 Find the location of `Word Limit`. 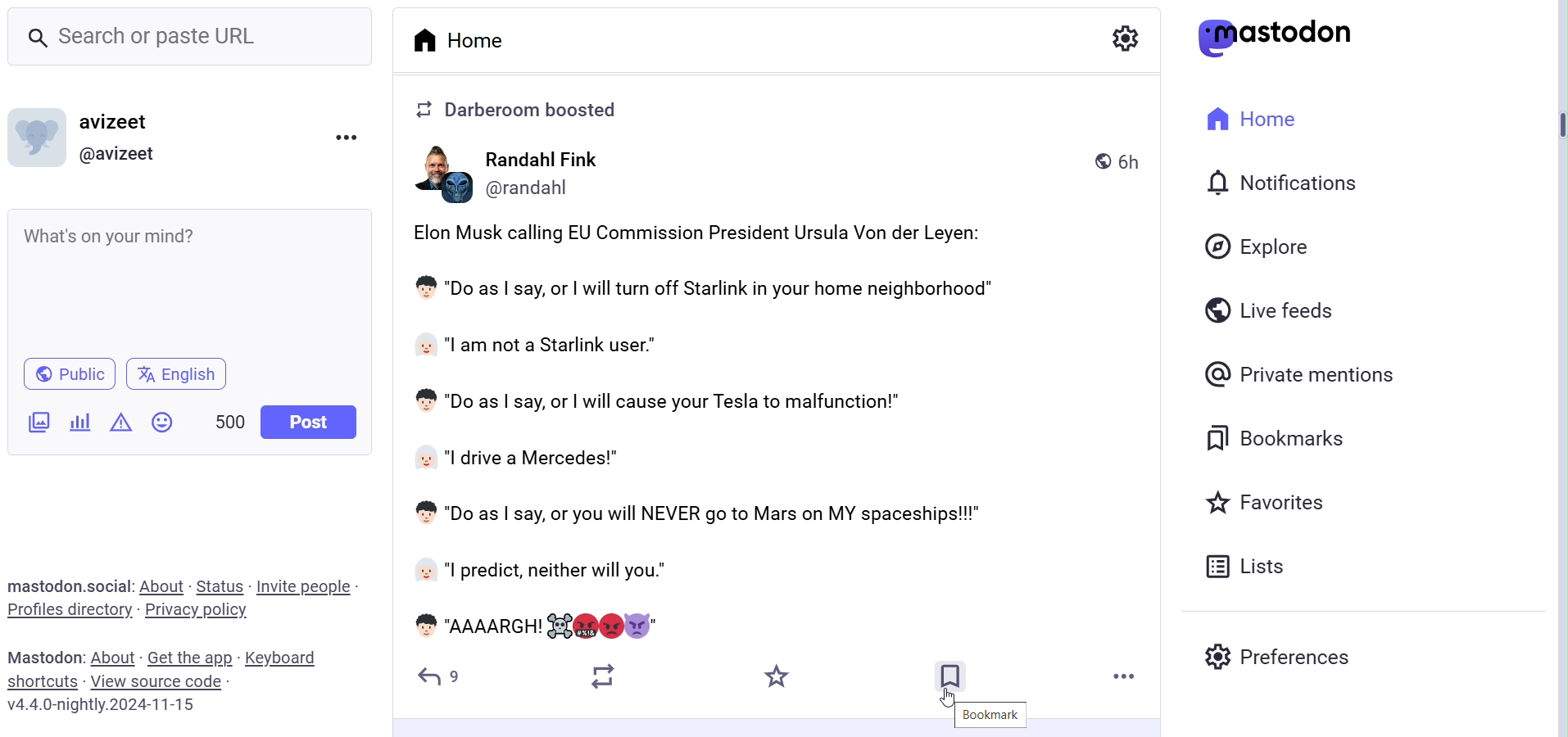

Word Limit is located at coordinates (232, 422).